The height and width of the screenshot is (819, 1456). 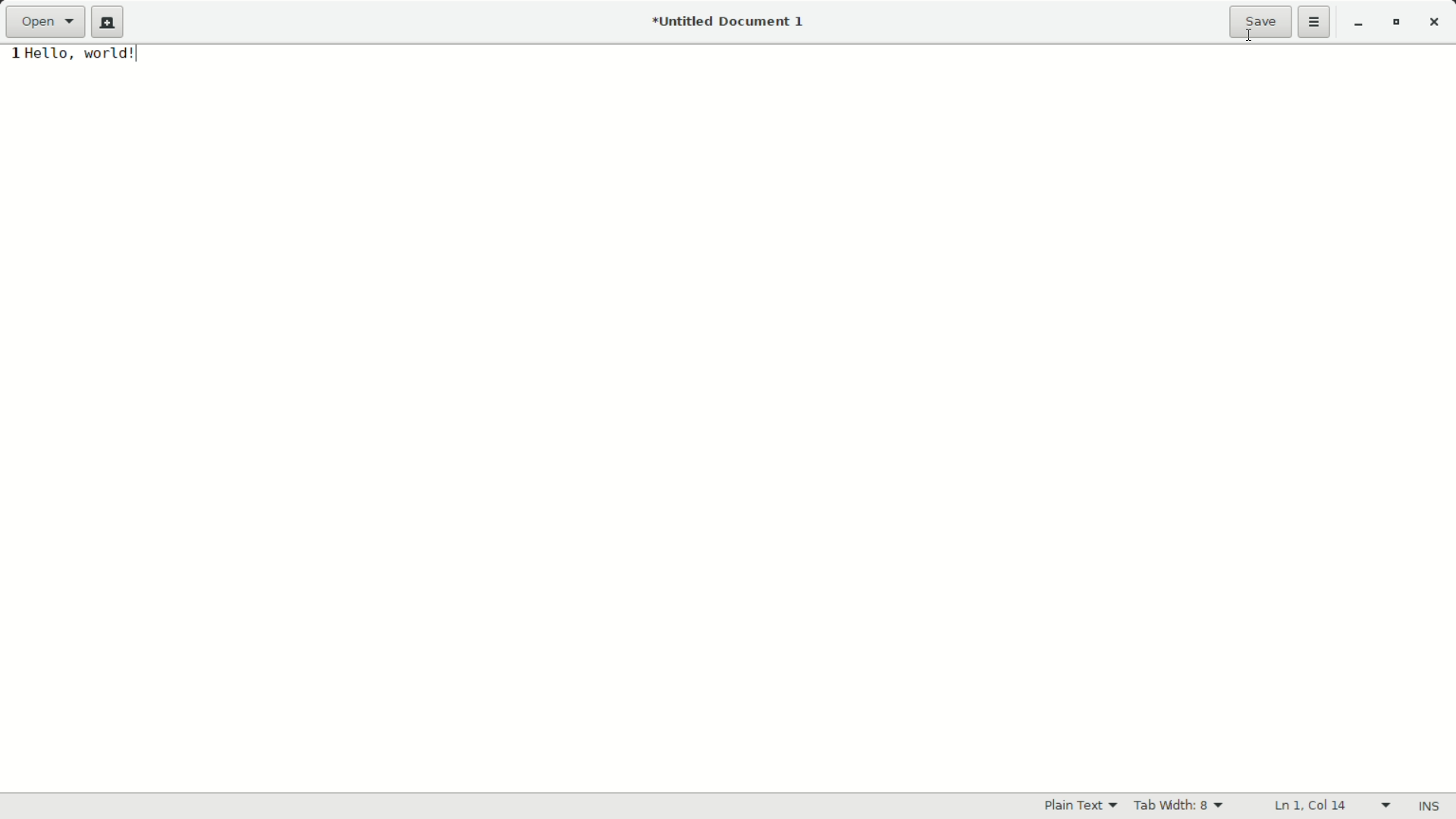 What do you see at coordinates (1180, 807) in the screenshot?
I see `tab width 8` at bounding box center [1180, 807].